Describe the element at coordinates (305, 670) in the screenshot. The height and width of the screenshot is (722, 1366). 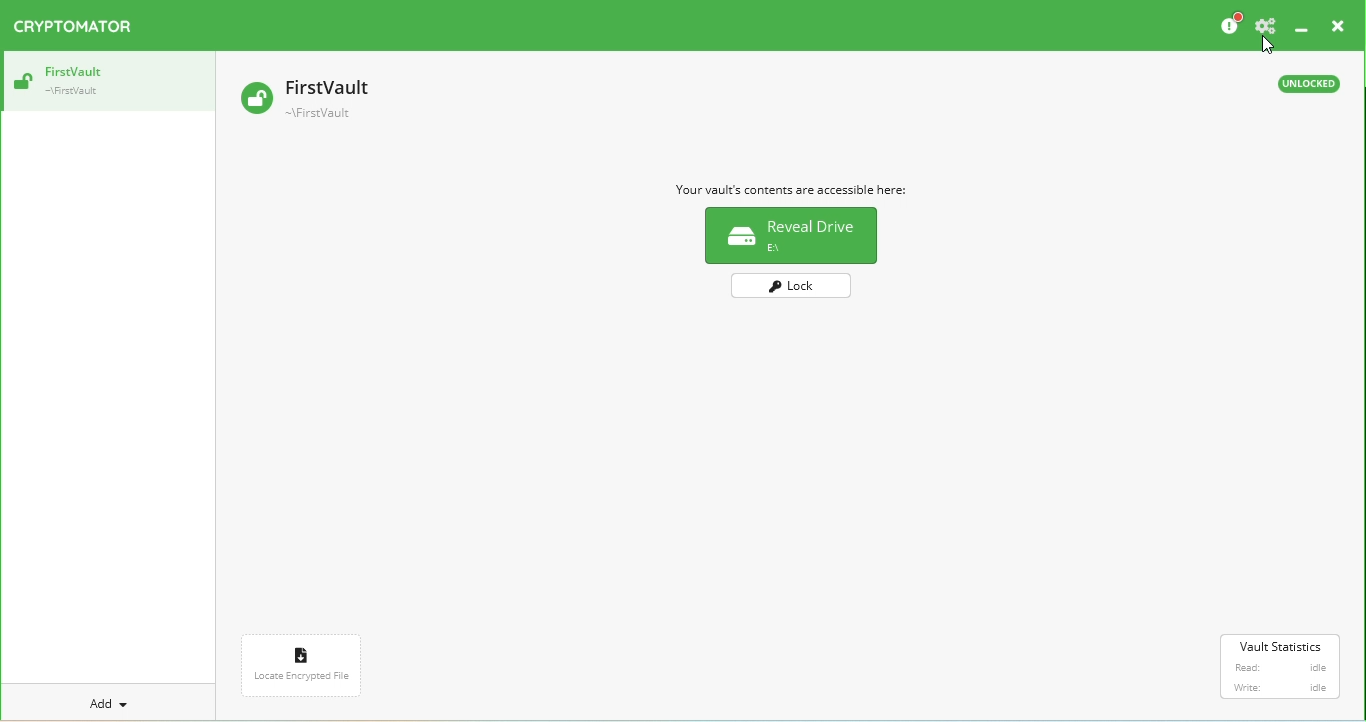
I see `Locate encrypted file` at that location.